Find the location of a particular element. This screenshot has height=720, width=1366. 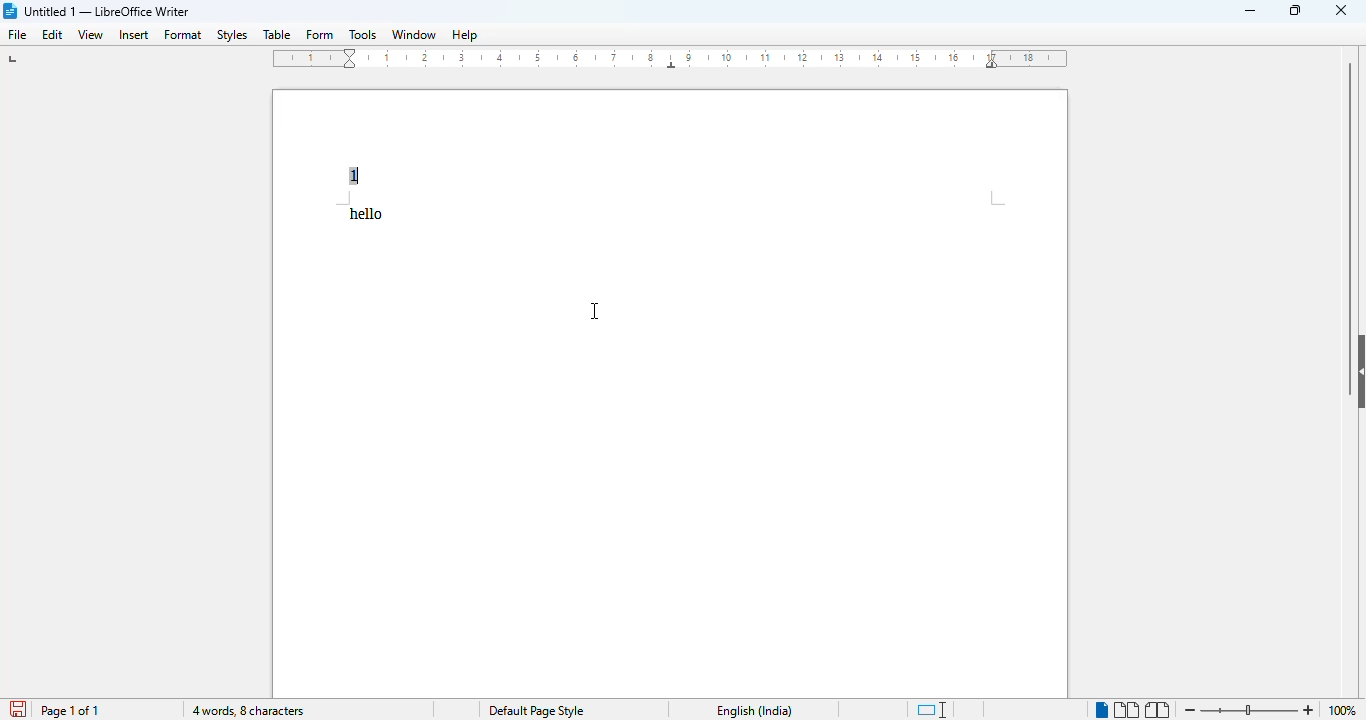

table is located at coordinates (277, 34).